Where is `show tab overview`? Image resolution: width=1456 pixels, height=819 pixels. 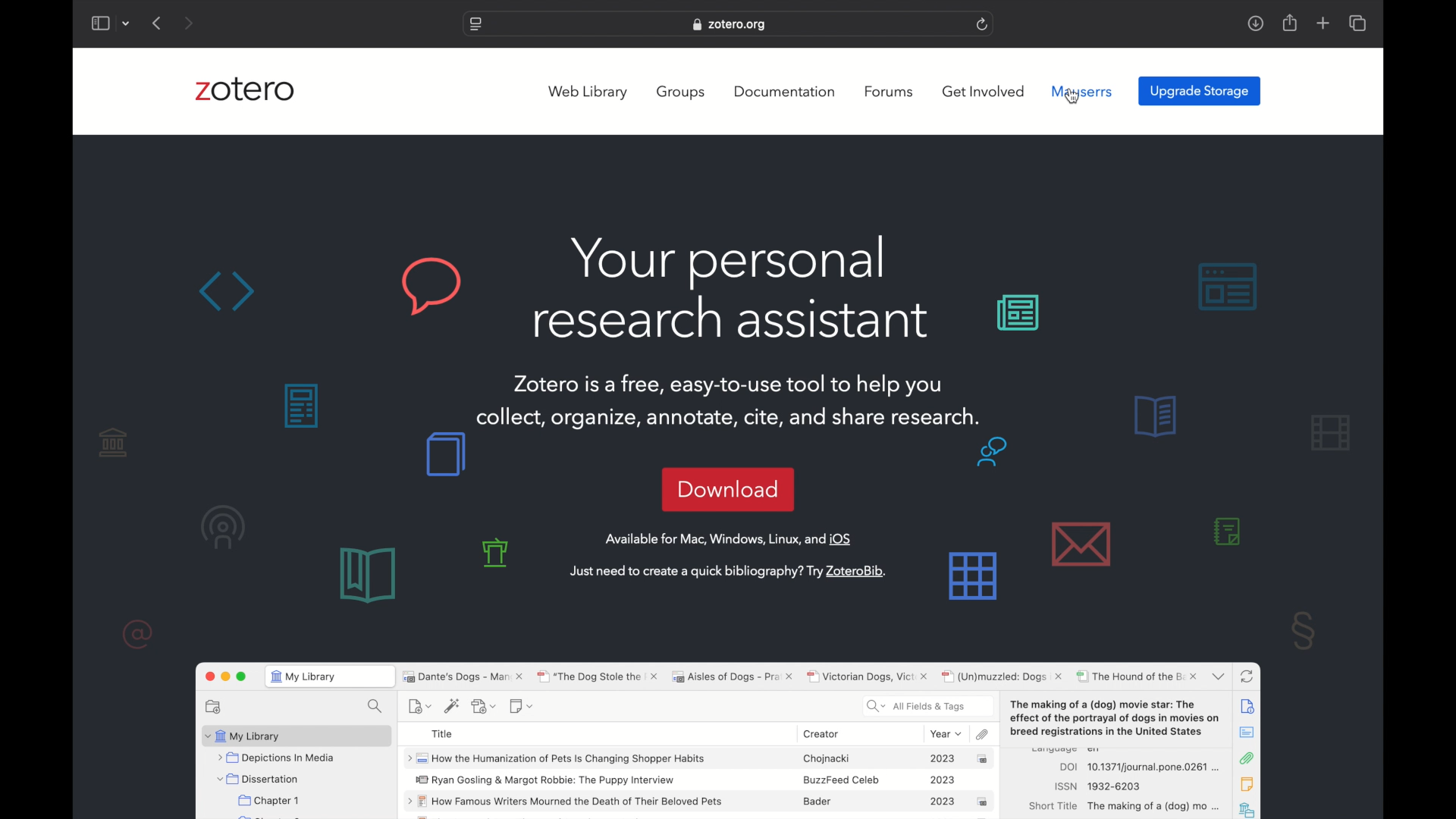 show tab overview is located at coordinates (1359, 24).